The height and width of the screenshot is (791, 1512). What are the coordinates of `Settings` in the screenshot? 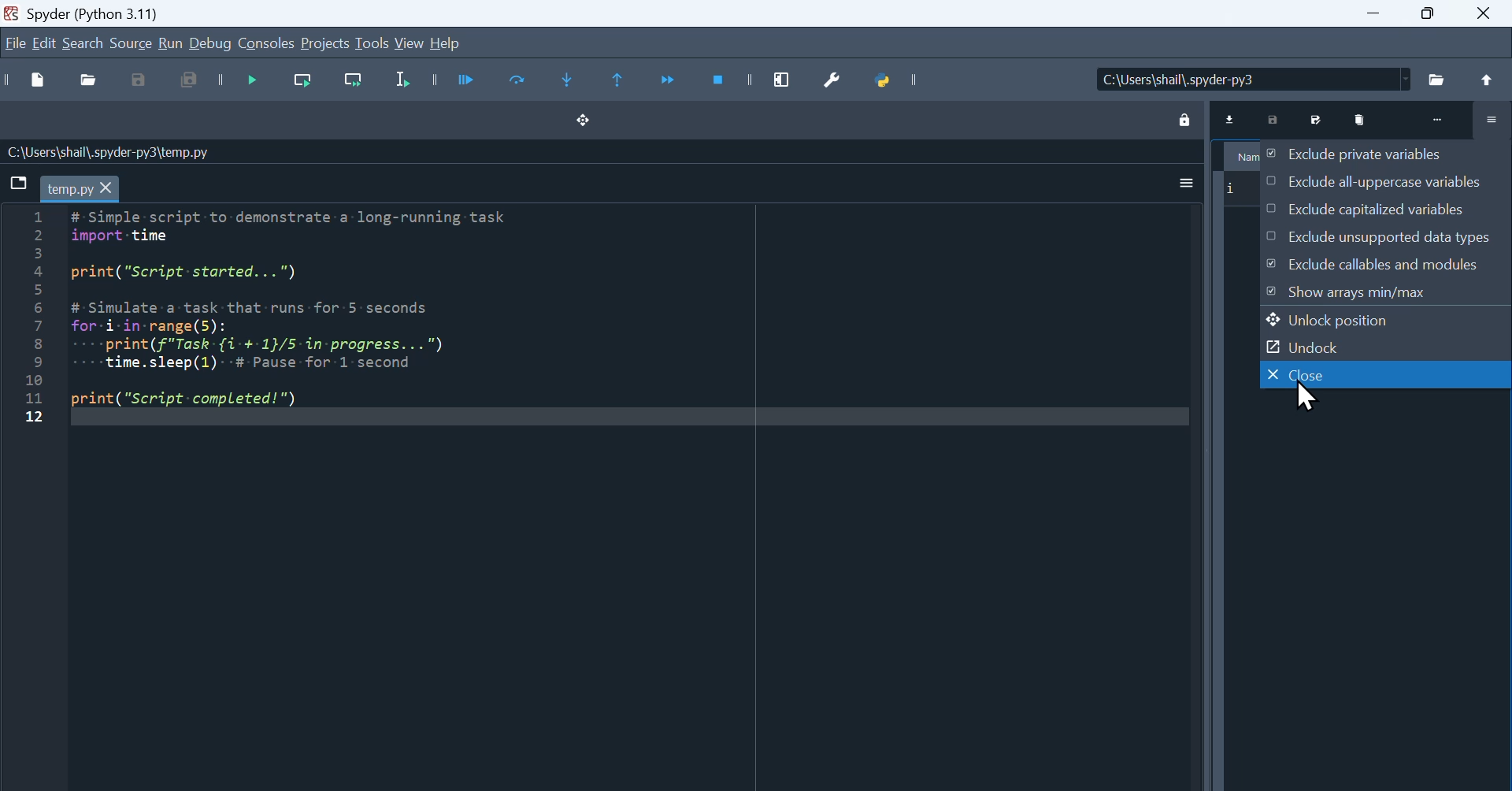 It's located at (1492, 120).